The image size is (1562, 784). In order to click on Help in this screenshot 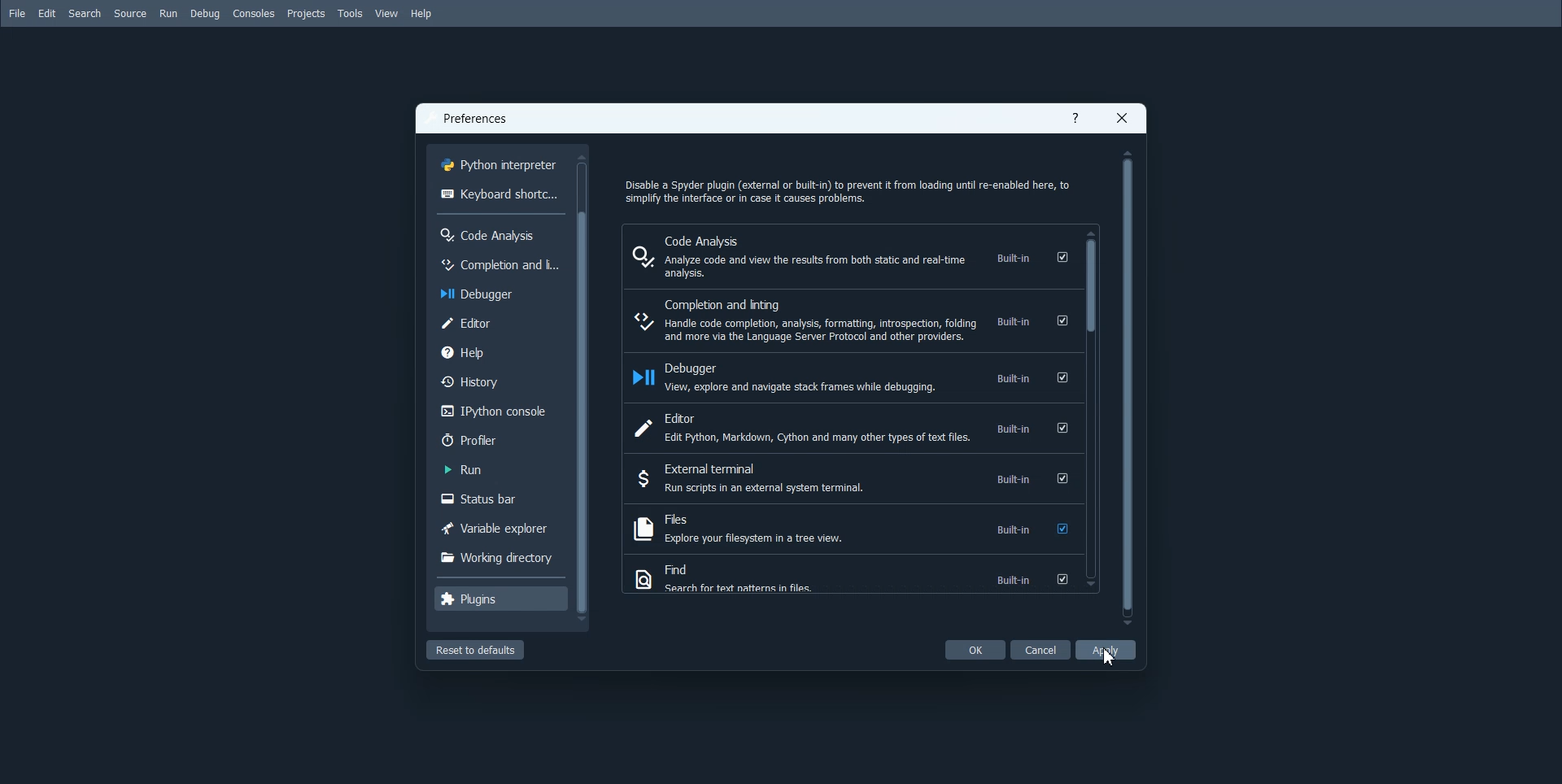, I will do `click(421, 14)`.